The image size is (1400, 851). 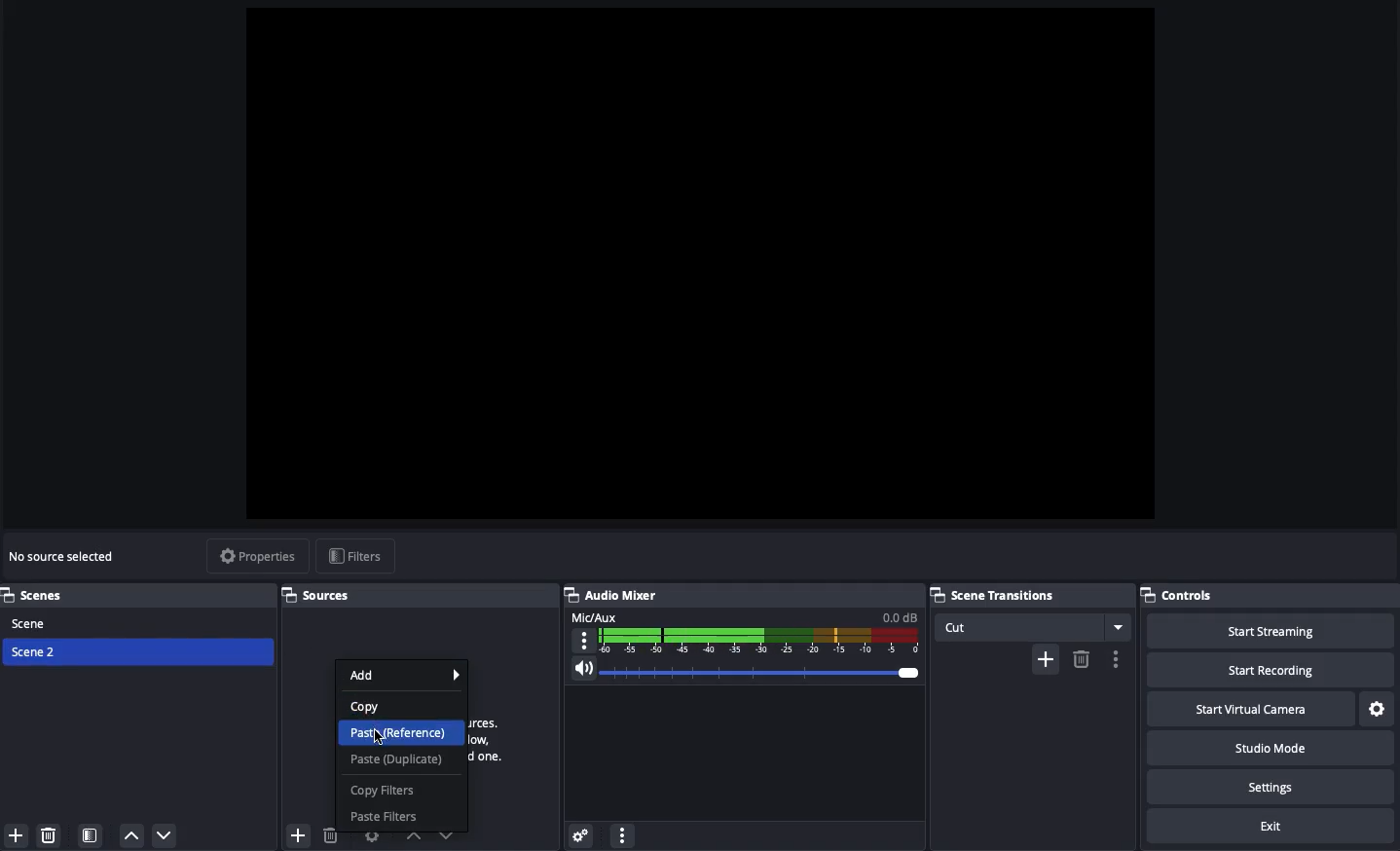 What do you see at coordinates (48, 833) in the screenshot?
I see `Remove` at bounding box center [48, 833].